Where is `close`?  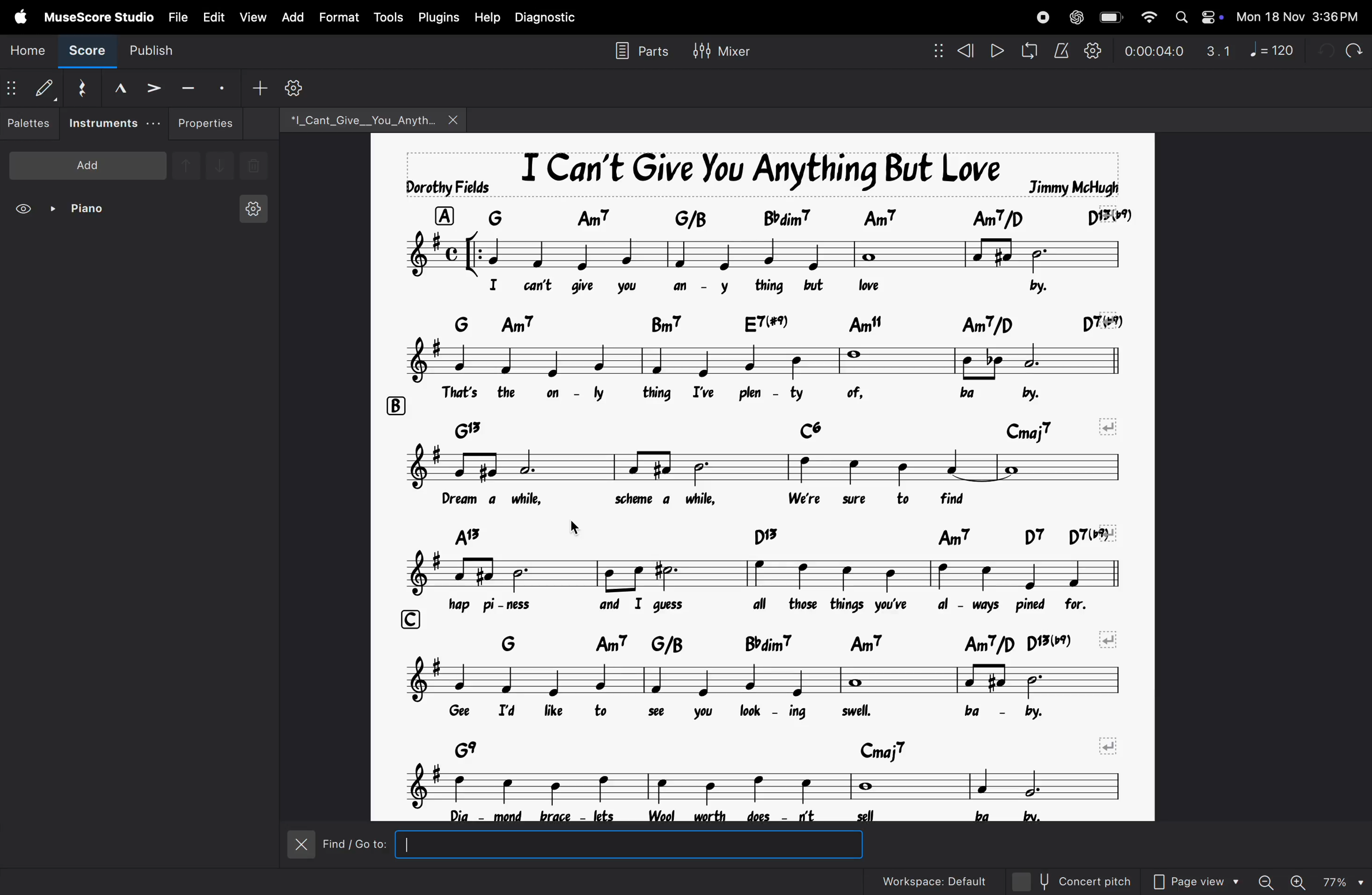 close is located at coordinates (303, 845).